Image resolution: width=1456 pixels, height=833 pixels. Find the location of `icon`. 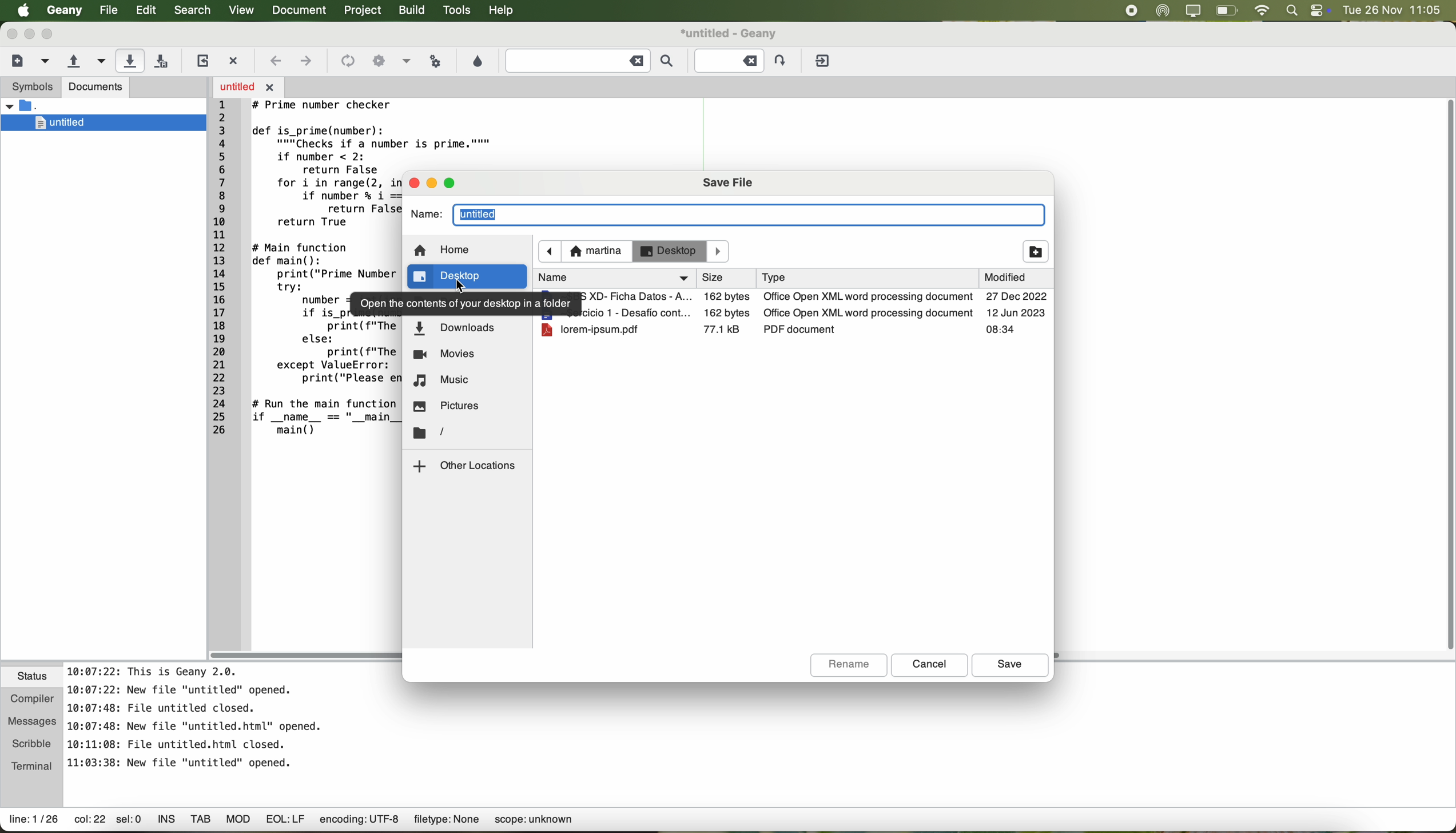

icon is located at coordinates (377, 59).